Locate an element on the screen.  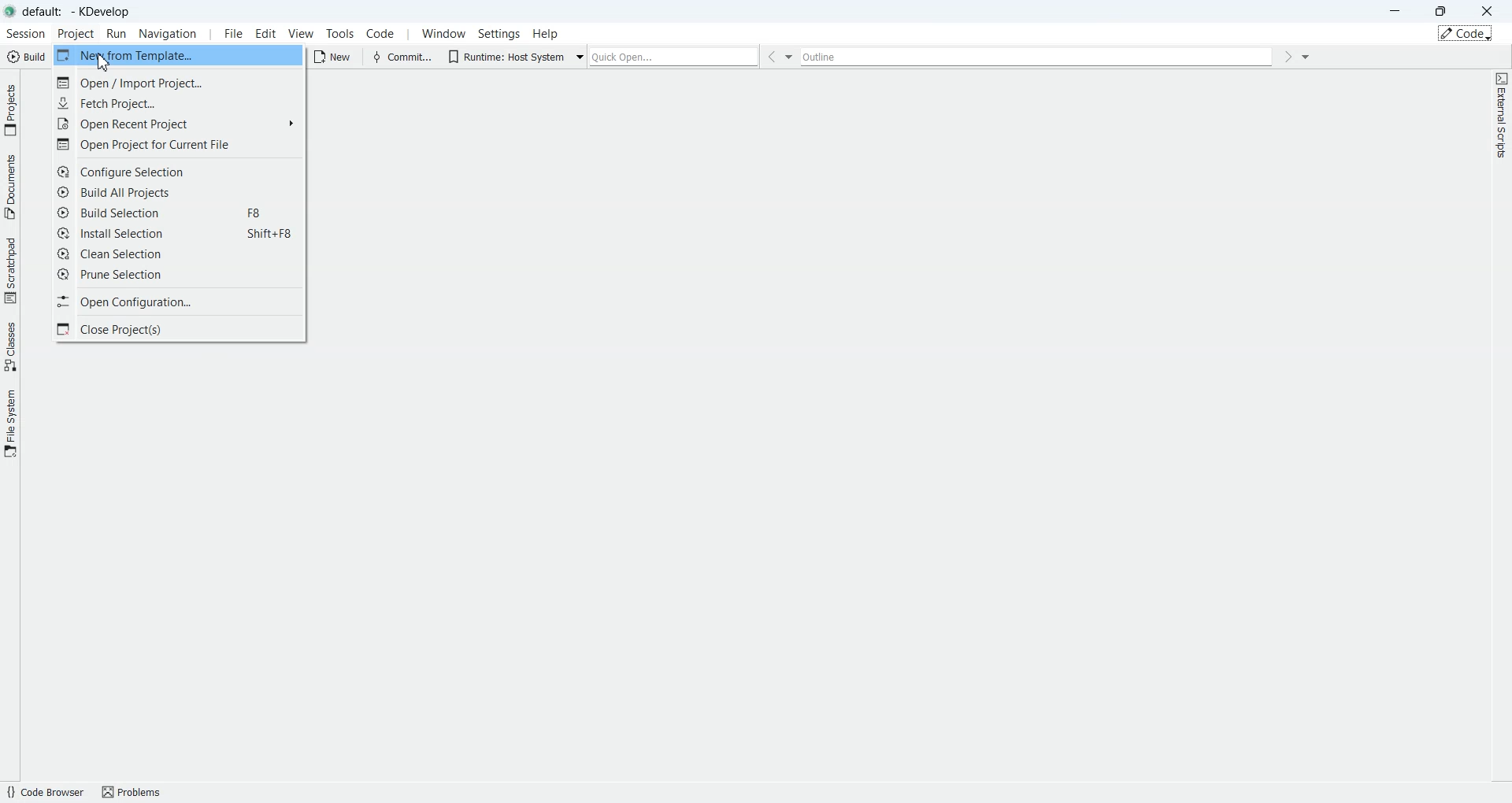
New is located at coordinates (335, 57).